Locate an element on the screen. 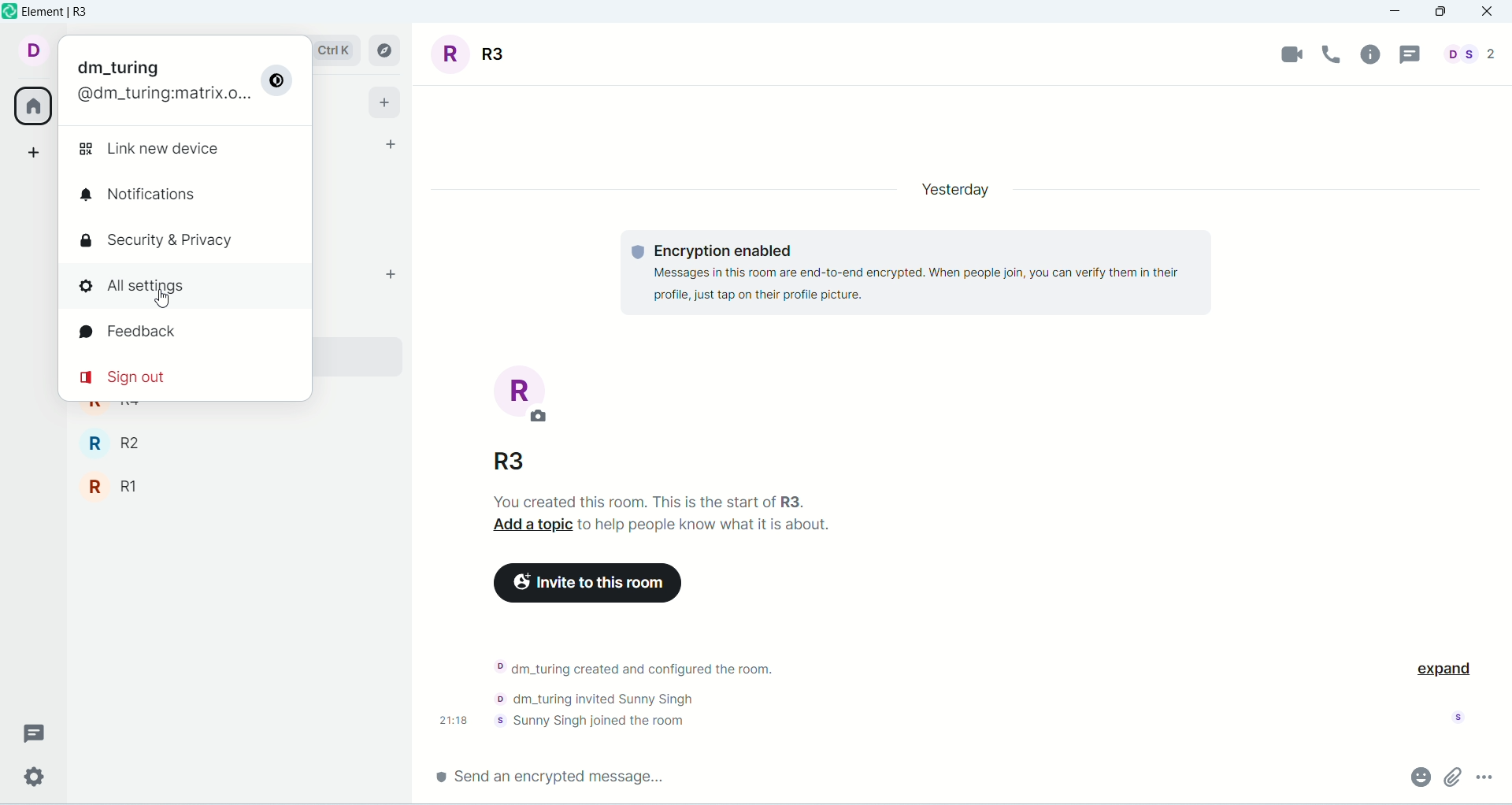 Image resolution: width=1512 pixels, height=805 pixels. invite to this room is located at coordinates (584, 583).